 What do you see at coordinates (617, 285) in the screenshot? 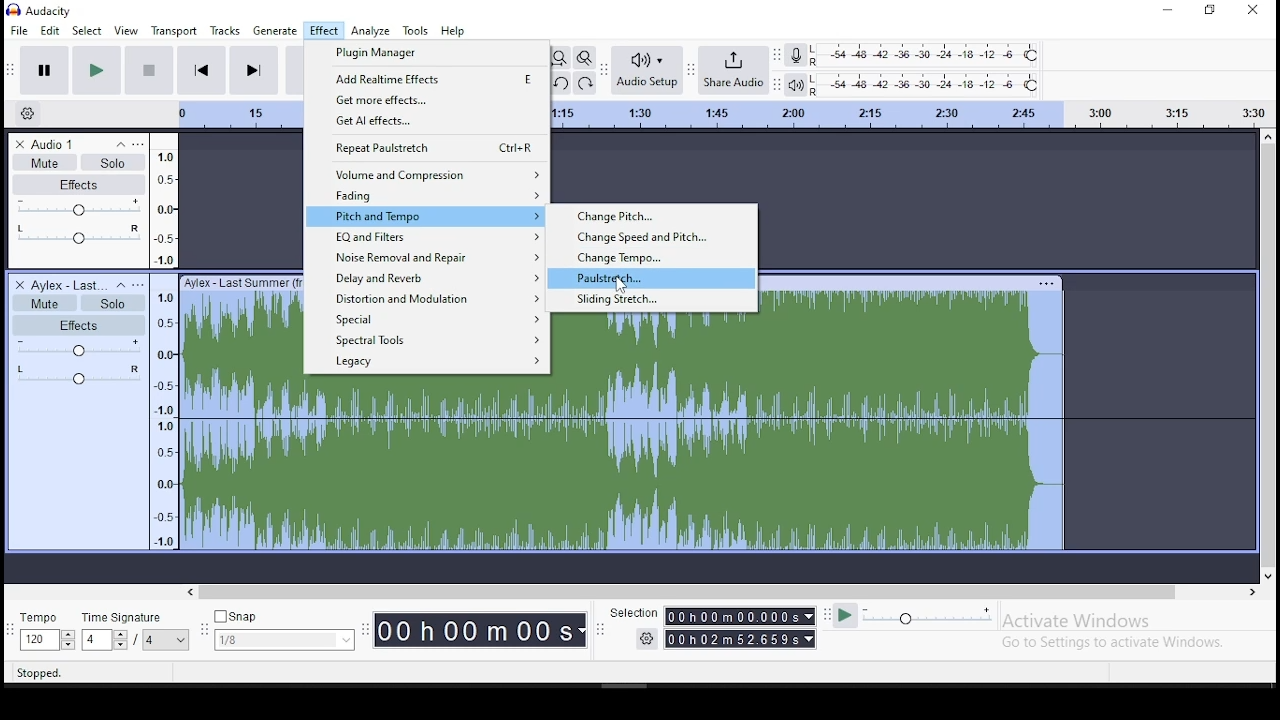
I see `cursor` at bounding box center [617, 285].